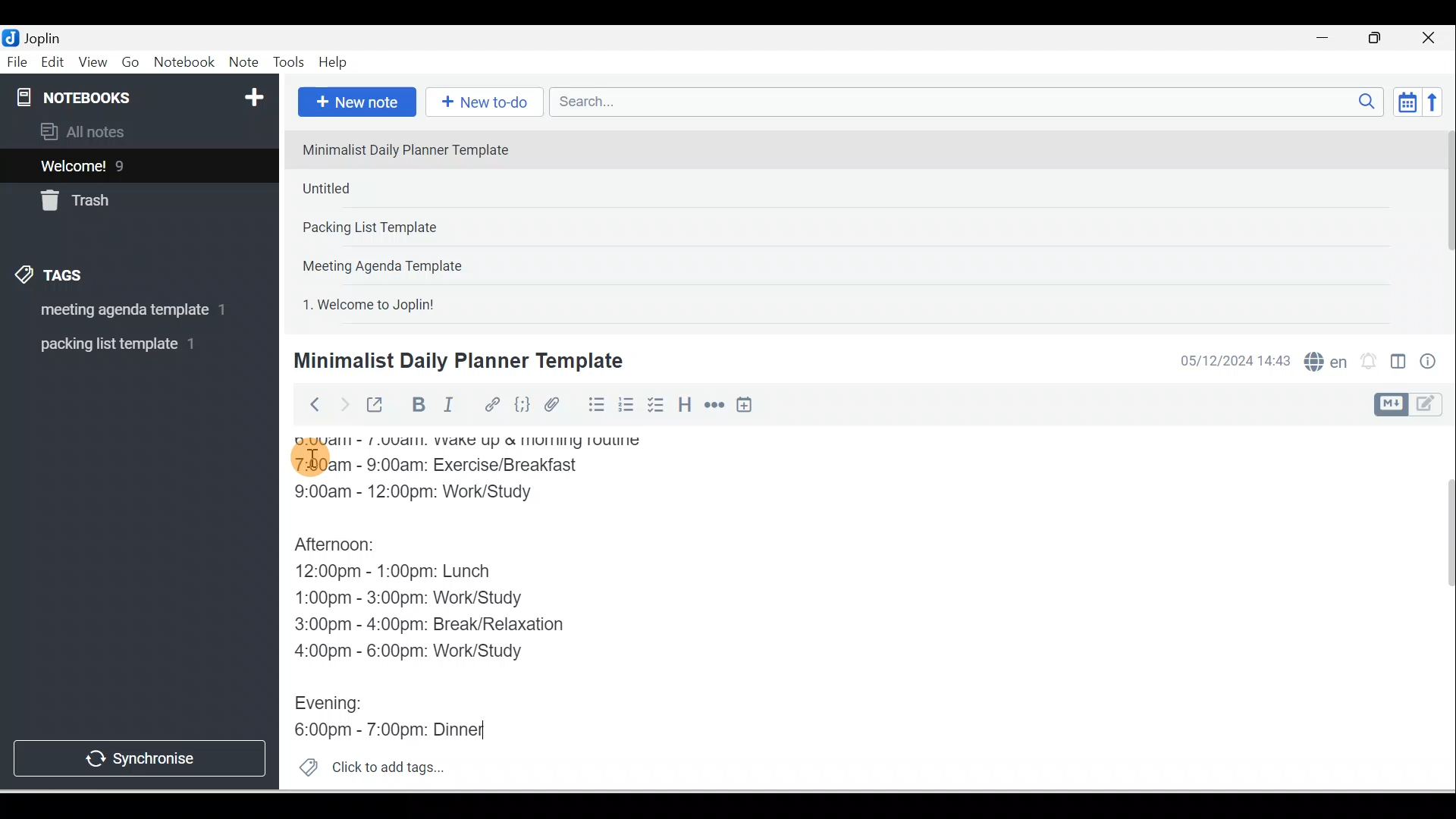 This screenshot has height=819, width=1456. What do you see at coordinates (1414, 405) in the screenshot?
I see `Toggle editor layout` at bounding box center [1414, 405].